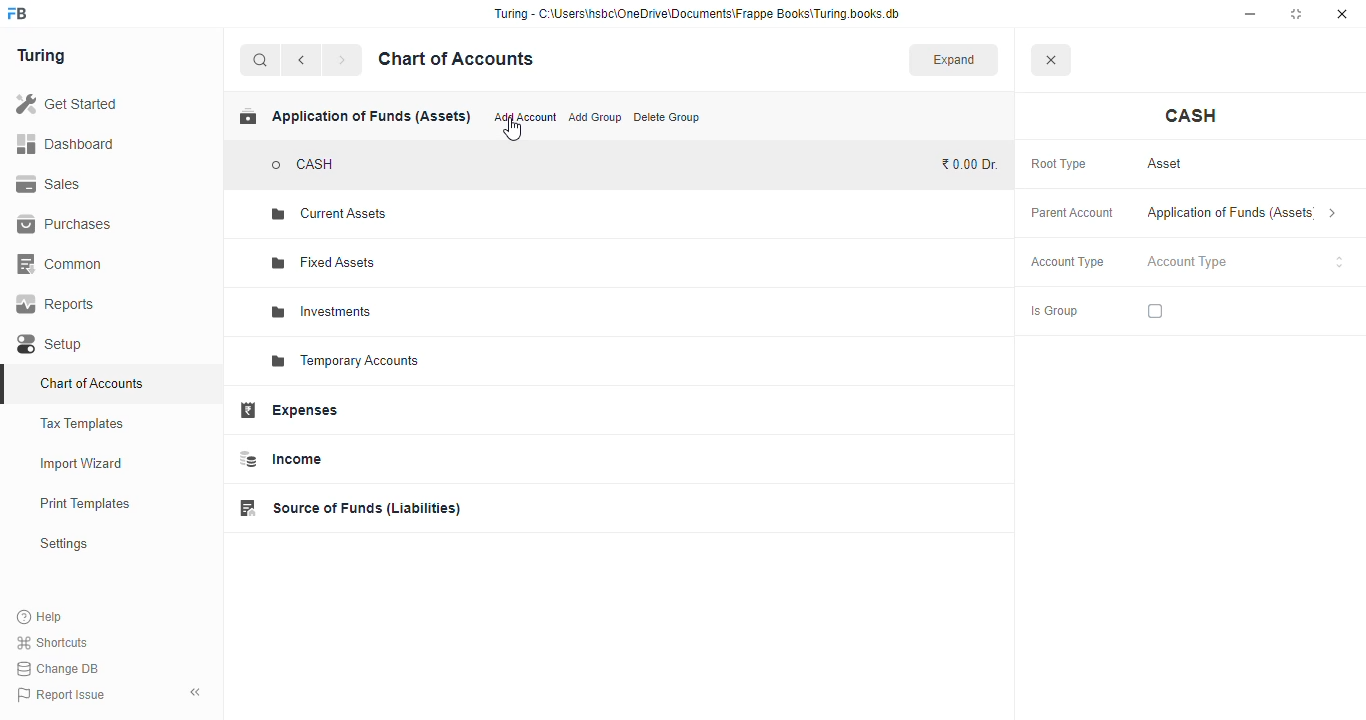  What do you see at coordinates (61, 264) in the screenshot?
I see `common` at bounding box center [61, 264].